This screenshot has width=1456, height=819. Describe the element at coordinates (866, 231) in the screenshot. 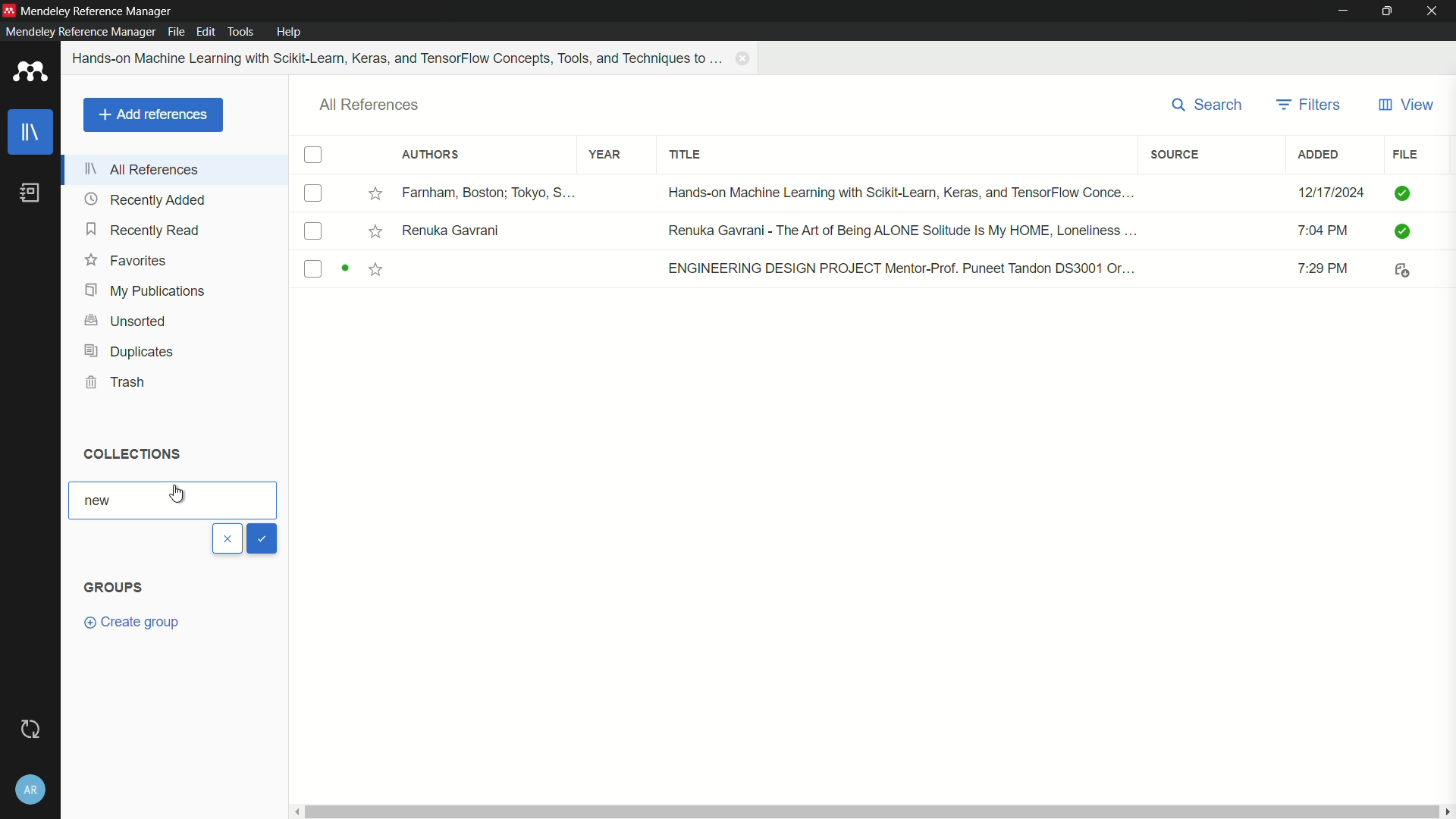

I see `book-2` at that location.